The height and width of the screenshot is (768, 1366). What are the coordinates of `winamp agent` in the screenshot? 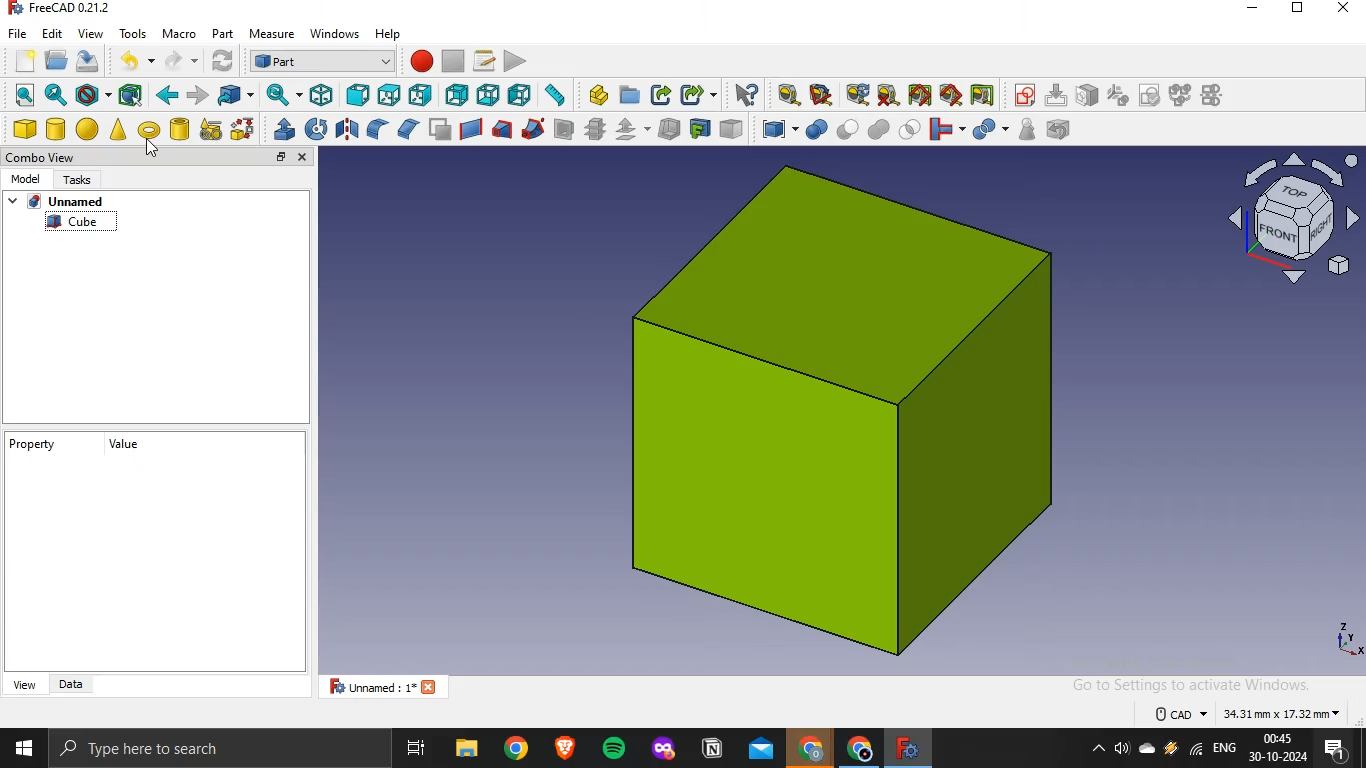 It's located at (1174, 750).